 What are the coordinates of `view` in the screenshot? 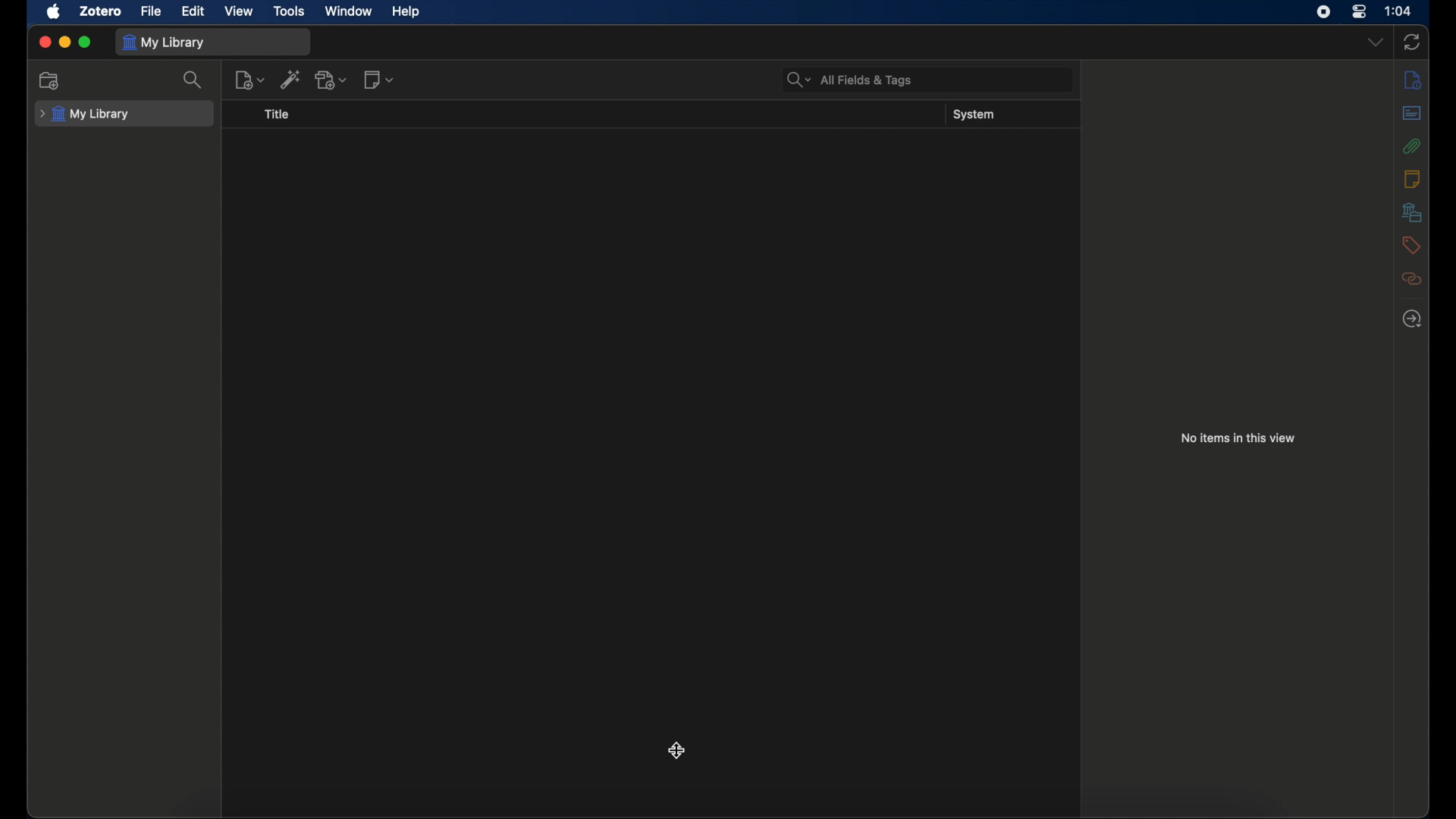 It's located at (238, 11).